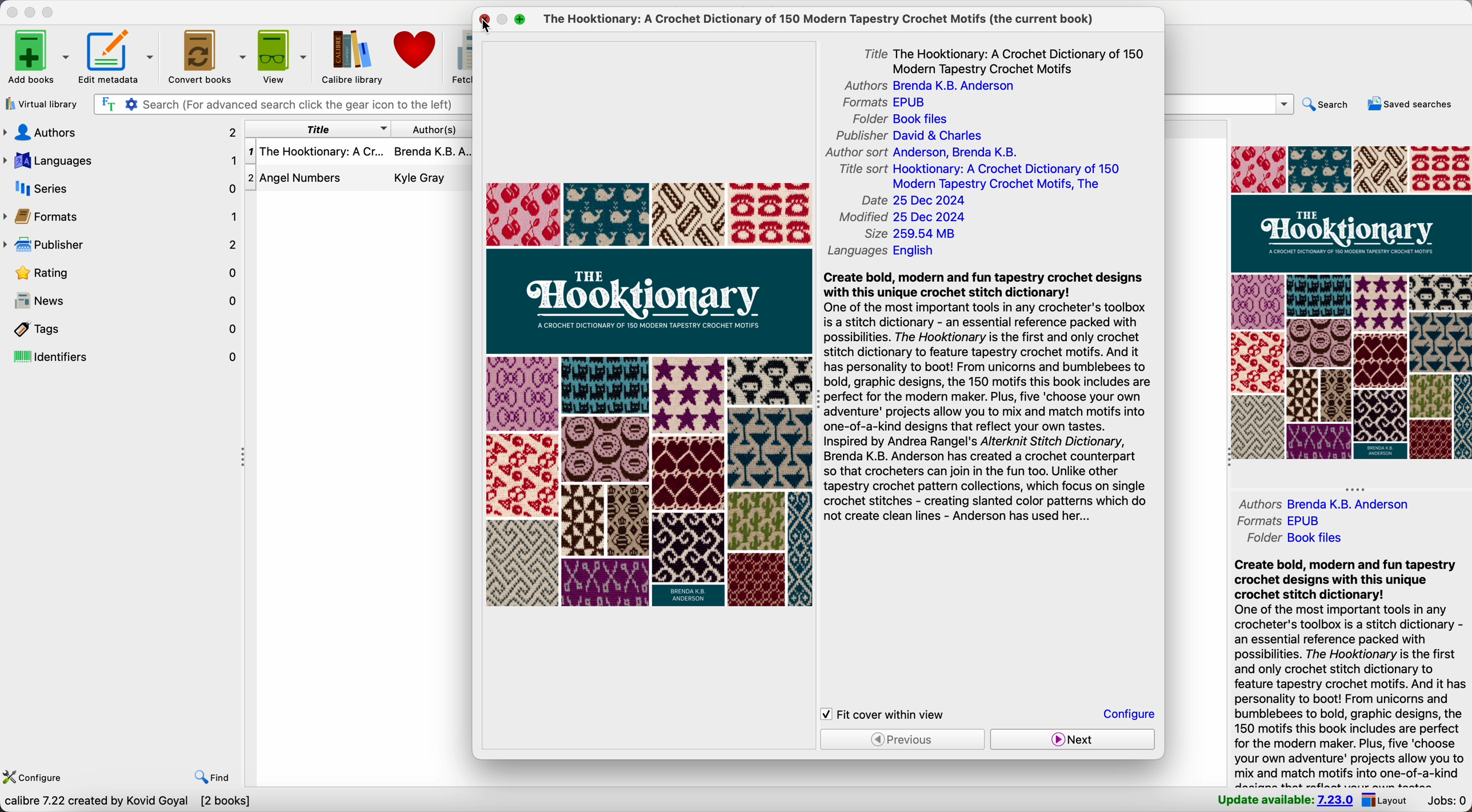 The image size is (1472, 812). I want to click on formats, so click(1277, 519).